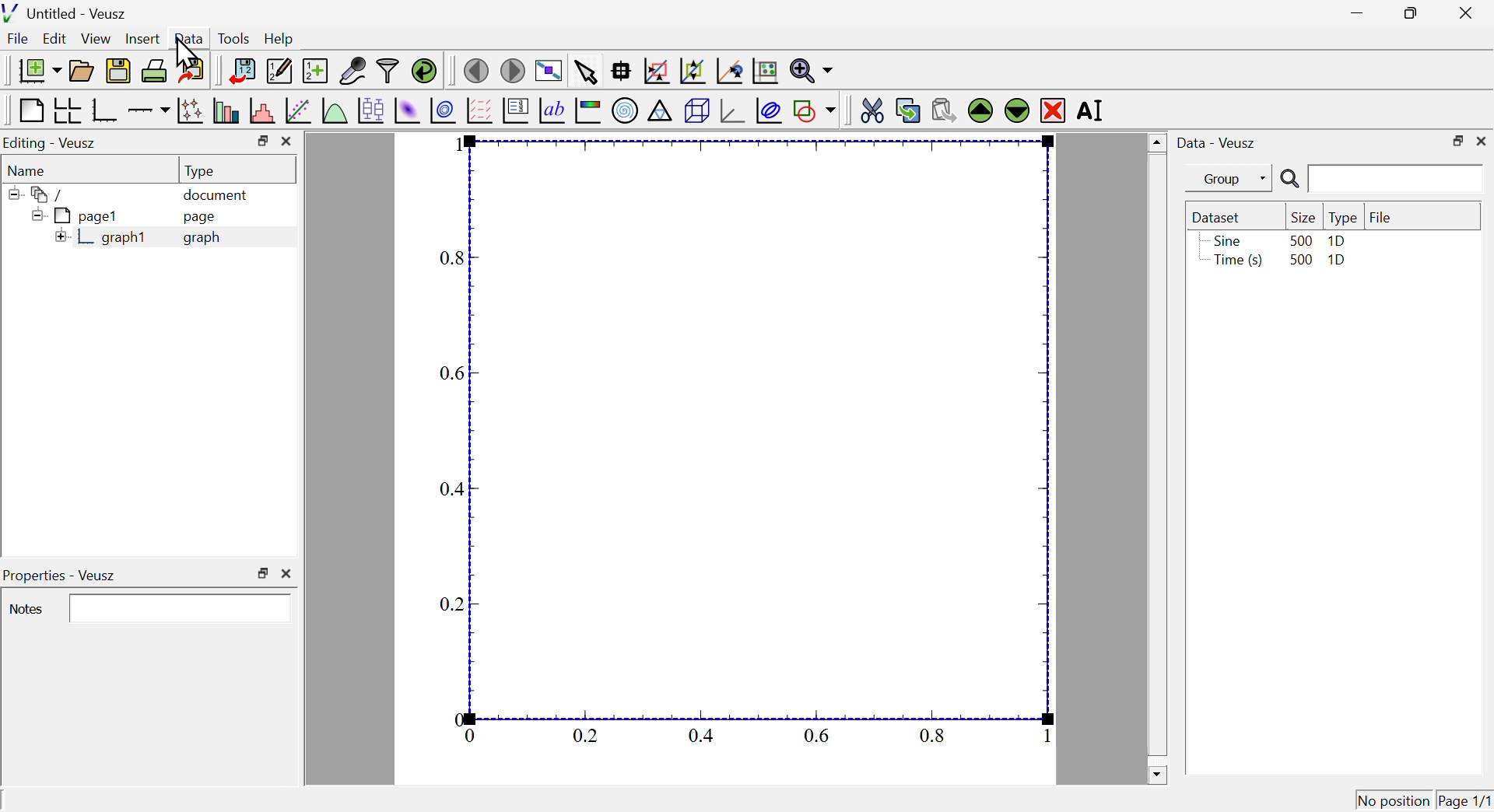  What do you see at coordinates (1015, 110) in the screenshot?
I see `move the selected widget down` at bounding box center [1015, 110].